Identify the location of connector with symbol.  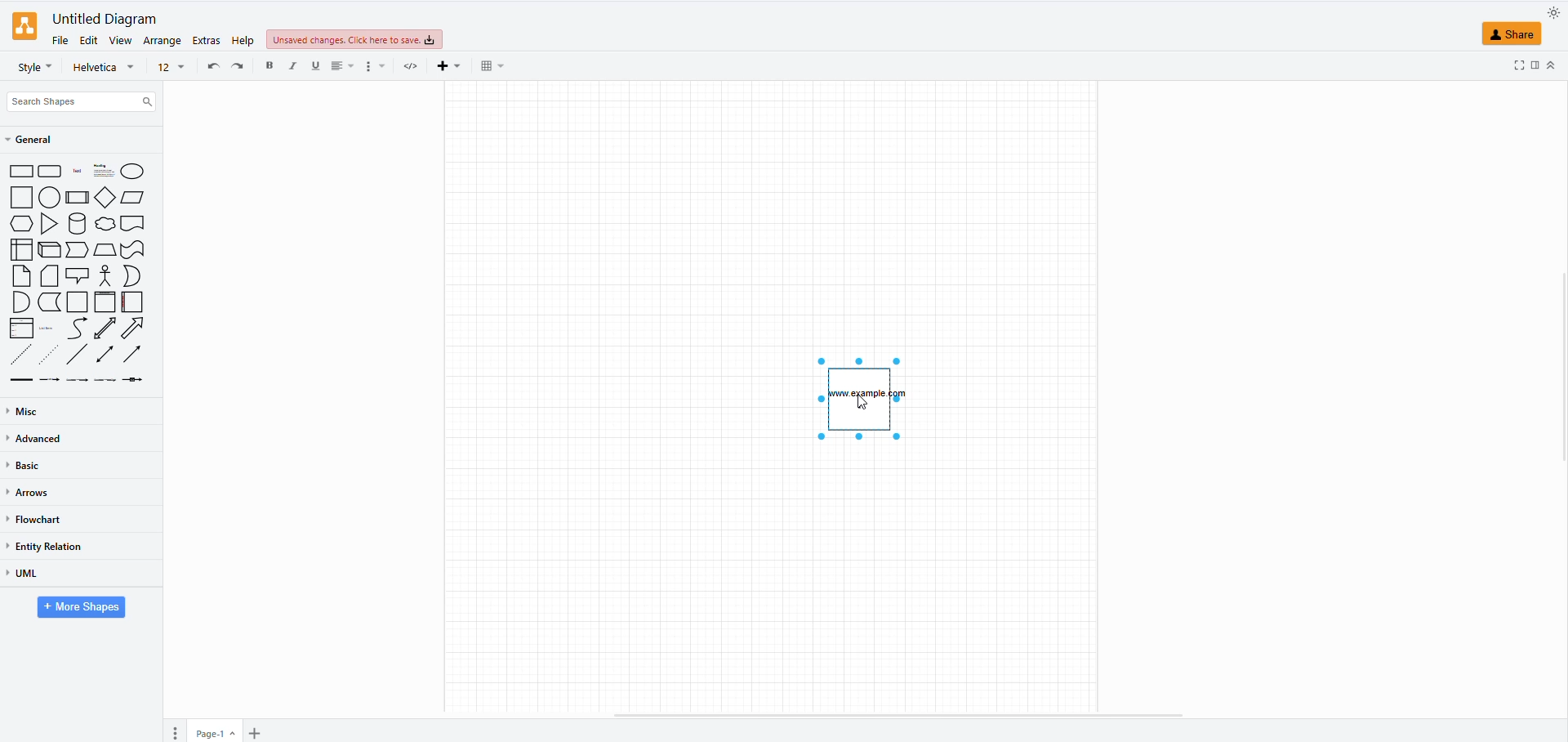
(136, 382).